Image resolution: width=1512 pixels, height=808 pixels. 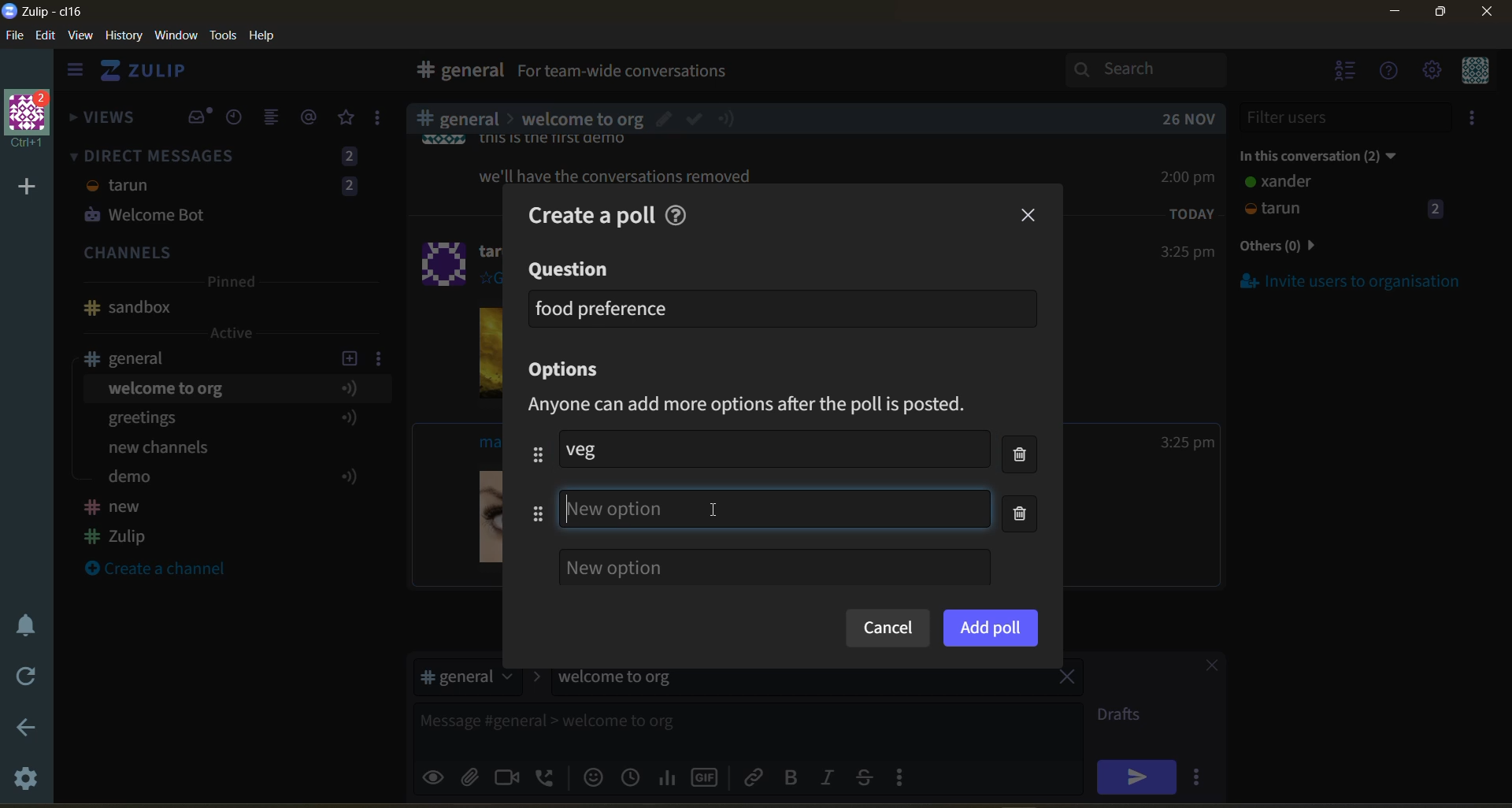 I want to click on Channel name, so click(x=128, y=308).